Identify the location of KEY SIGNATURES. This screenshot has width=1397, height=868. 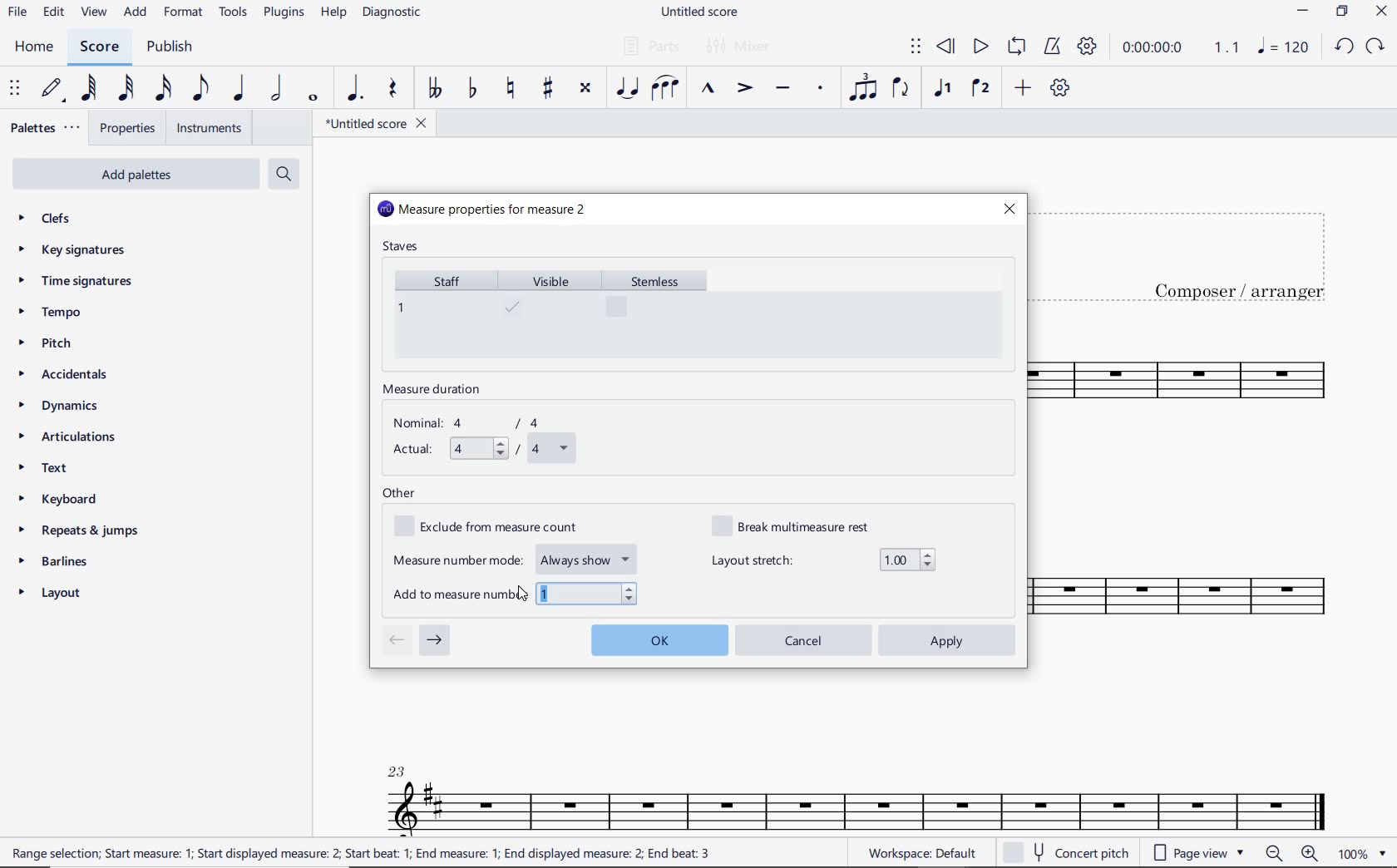
(77, 249).